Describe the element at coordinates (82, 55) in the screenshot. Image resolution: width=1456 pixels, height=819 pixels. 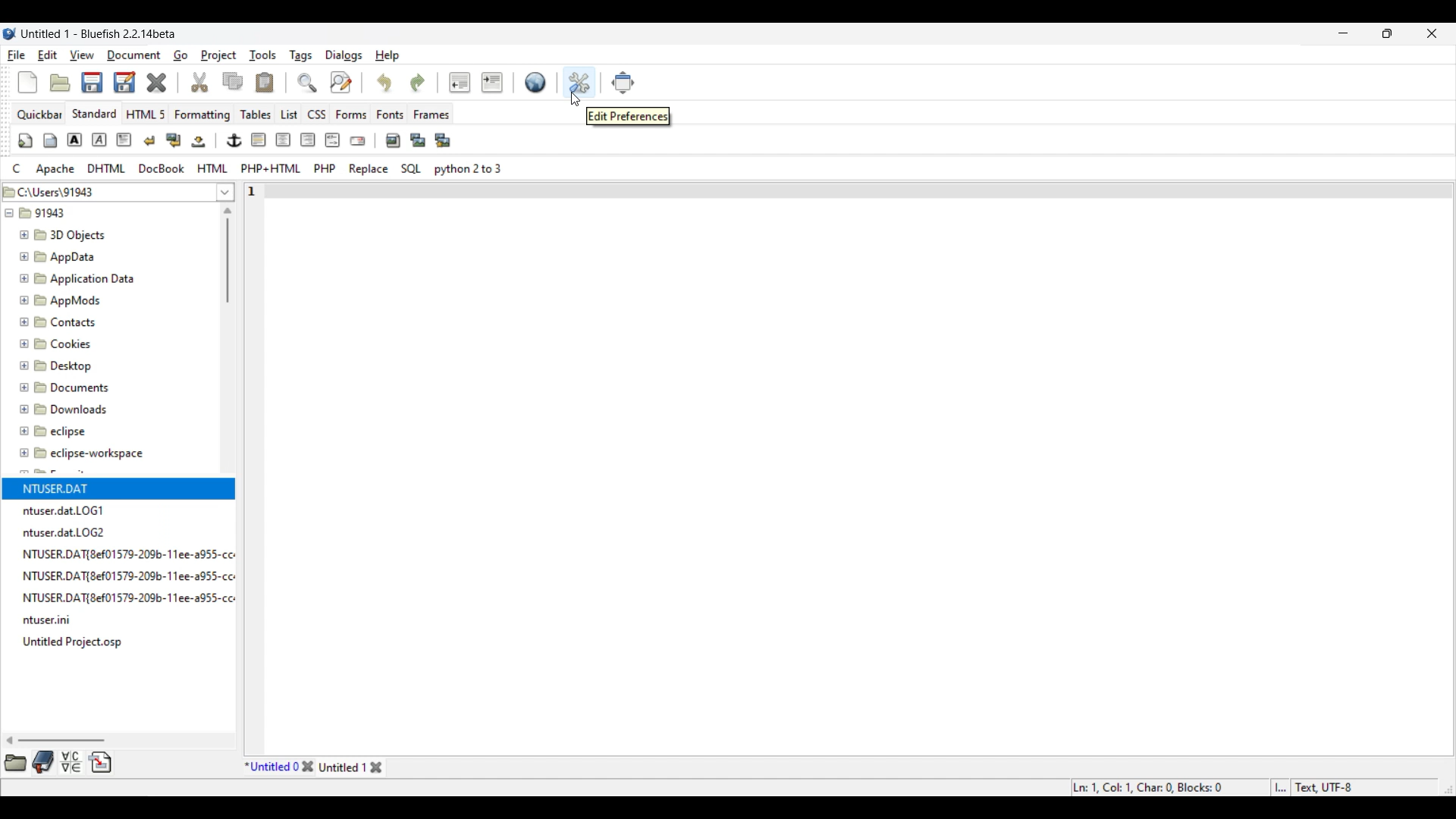
I see `View menu` at that location.